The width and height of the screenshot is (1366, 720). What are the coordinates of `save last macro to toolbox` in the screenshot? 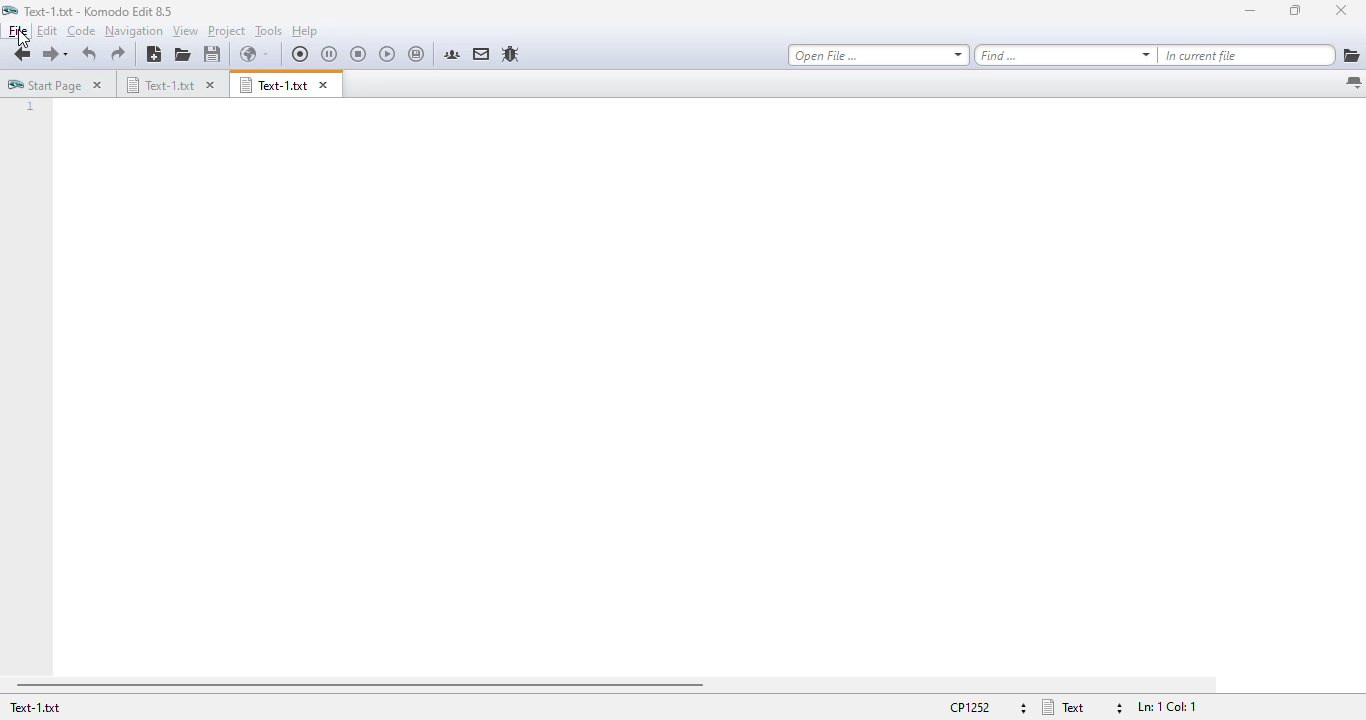 It's located at (417, 55).